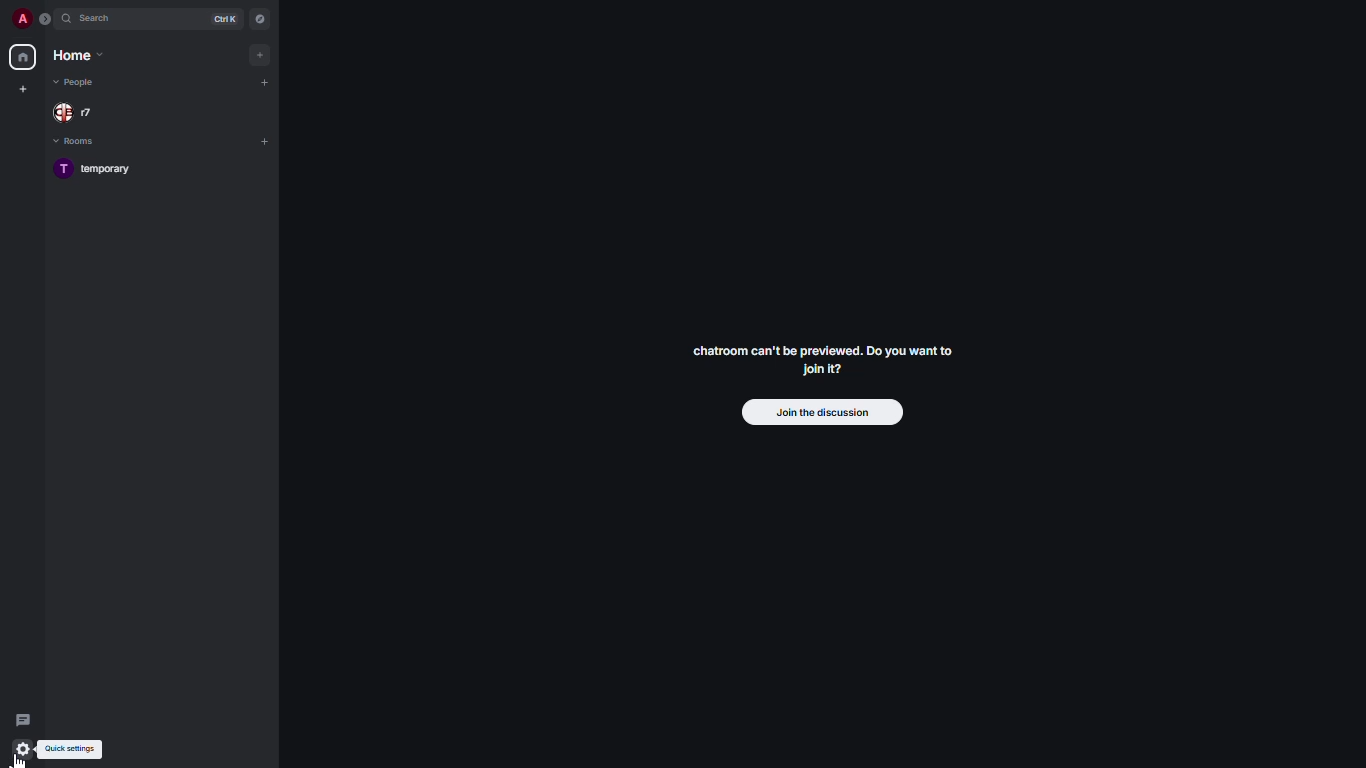  What do you see at coordinates (819, 412) in the screenshot?
I see `join the discussion` at bounding box center [819, 412].